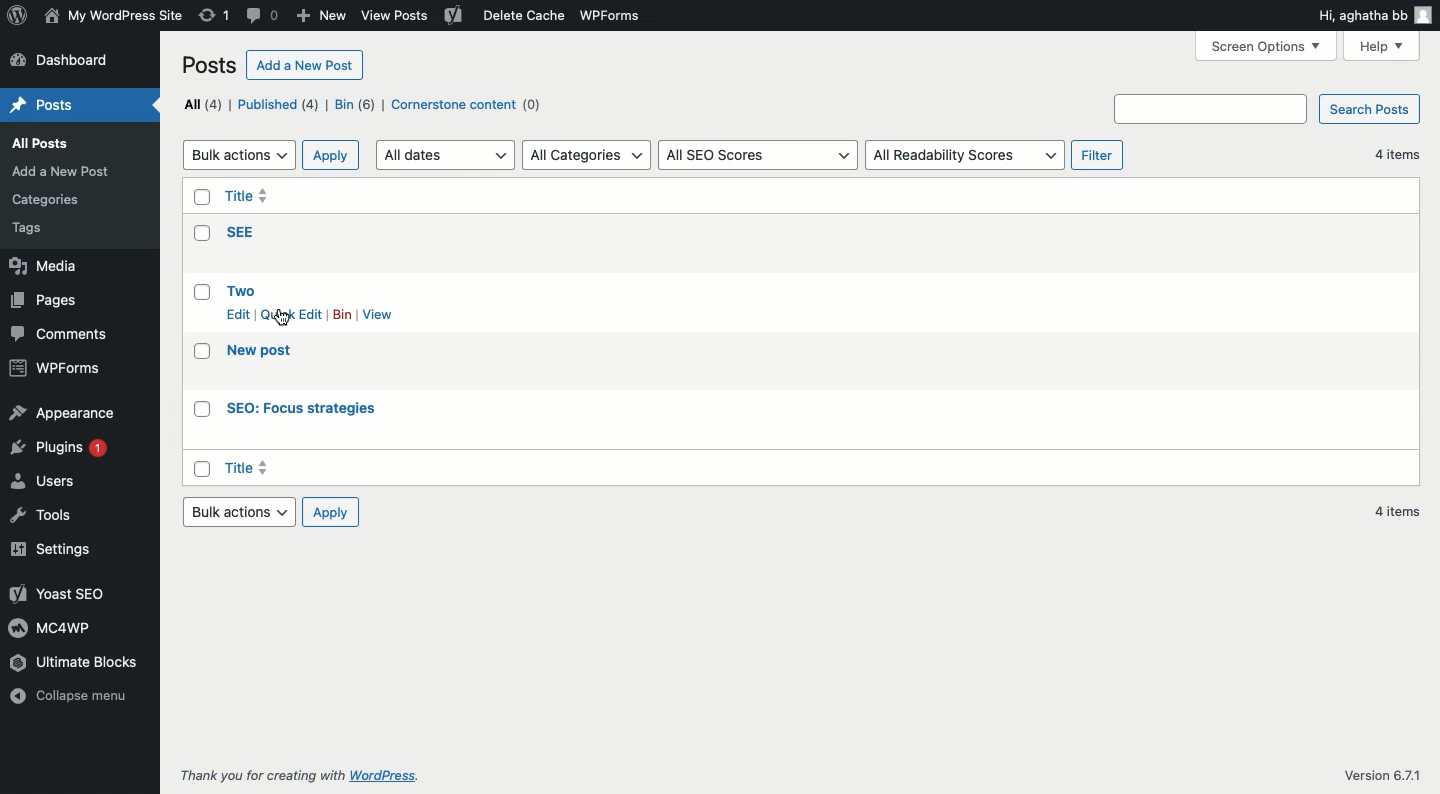 The height and width of the screenshot is (794, 1440). What do you see at coordinates (320, 17) in the screenshot?
I see `New` at bounding box center [320, 17].